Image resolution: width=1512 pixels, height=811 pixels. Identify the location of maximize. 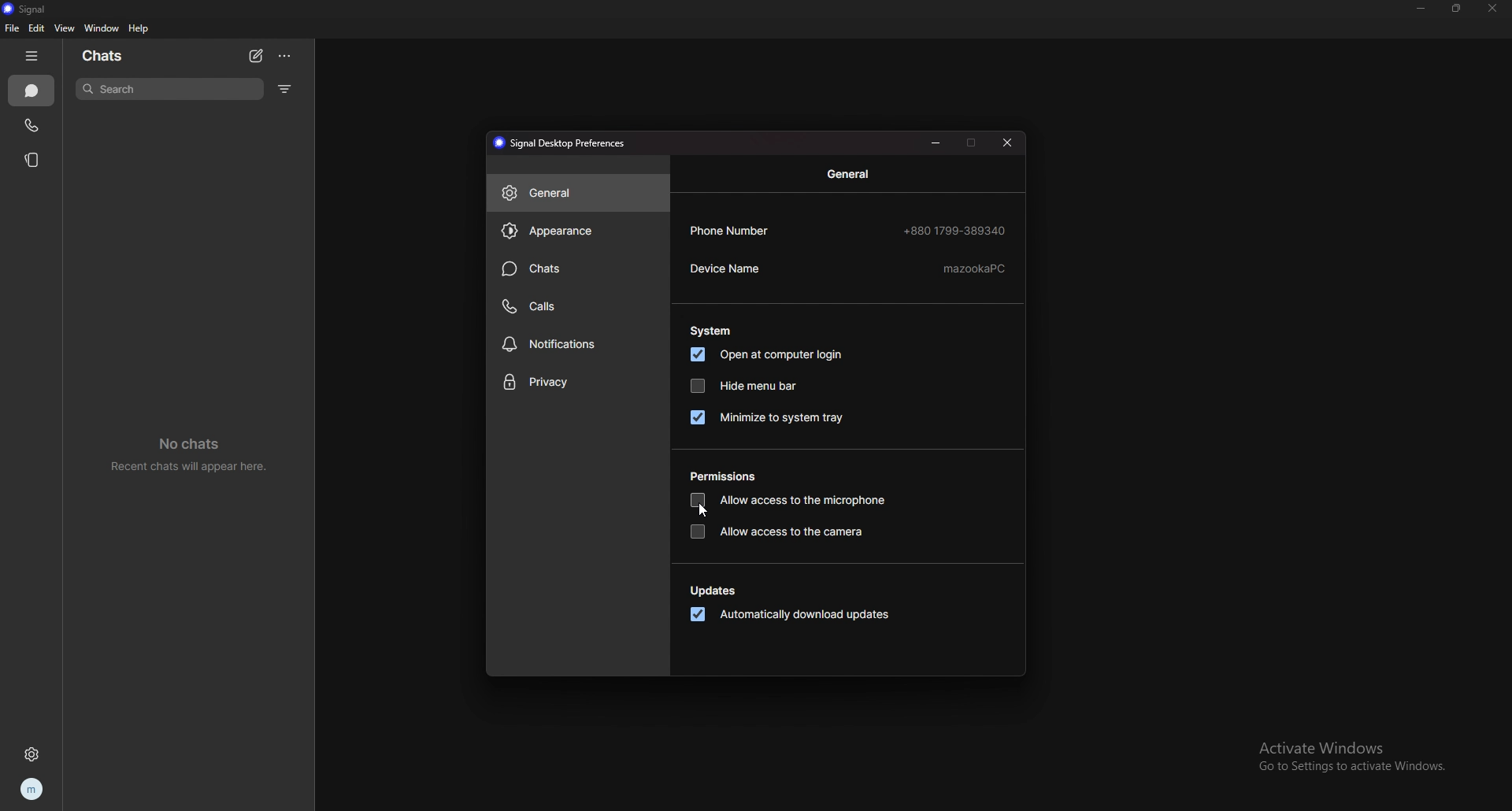
(972, 143).